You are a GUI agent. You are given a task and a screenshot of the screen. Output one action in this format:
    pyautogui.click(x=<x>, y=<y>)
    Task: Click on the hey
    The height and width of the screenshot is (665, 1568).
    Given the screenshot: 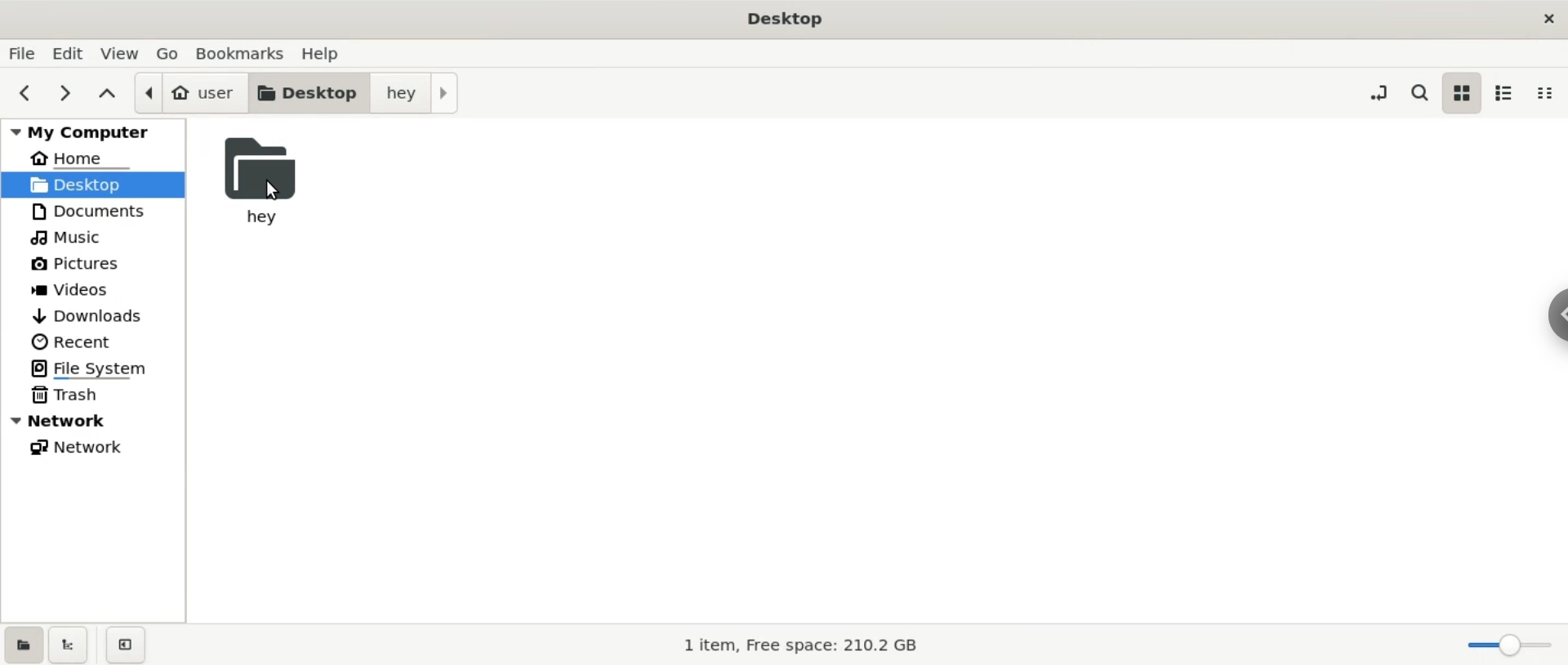 What is the action you would take?
    pyautogui.click(x=416, y=93)
    